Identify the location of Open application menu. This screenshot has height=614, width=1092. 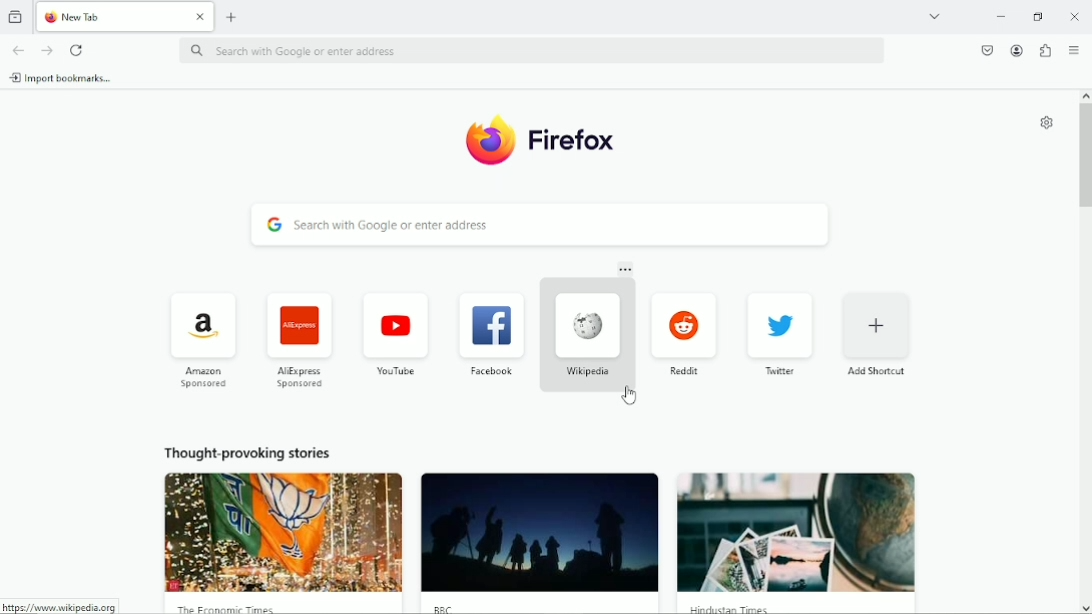
(1074, 50).